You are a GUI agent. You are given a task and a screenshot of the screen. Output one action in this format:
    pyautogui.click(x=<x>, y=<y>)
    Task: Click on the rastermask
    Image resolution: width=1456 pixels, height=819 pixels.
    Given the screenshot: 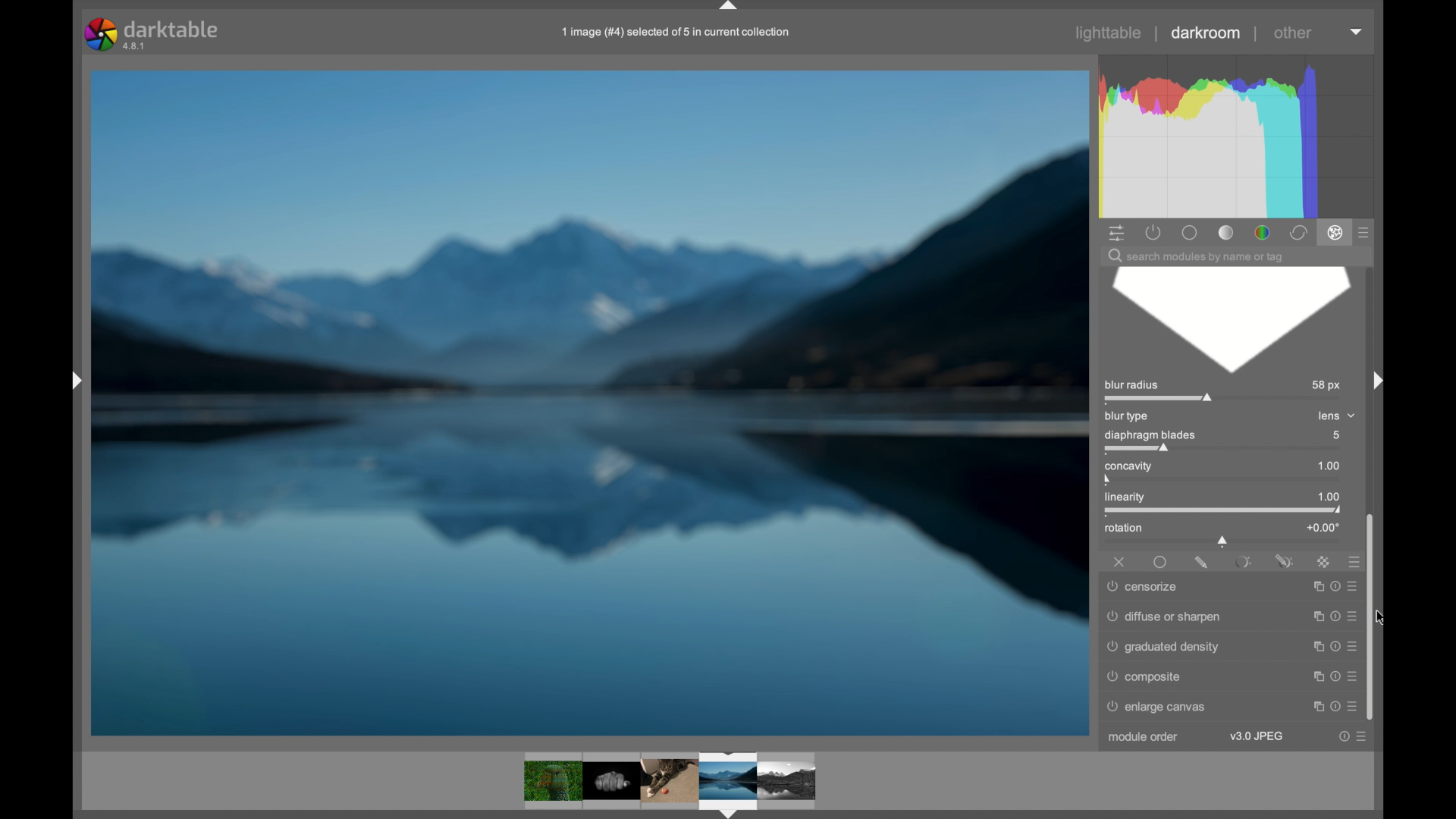 What is the action you would take?
    pyautogui.click(x=1323, y=561)
    